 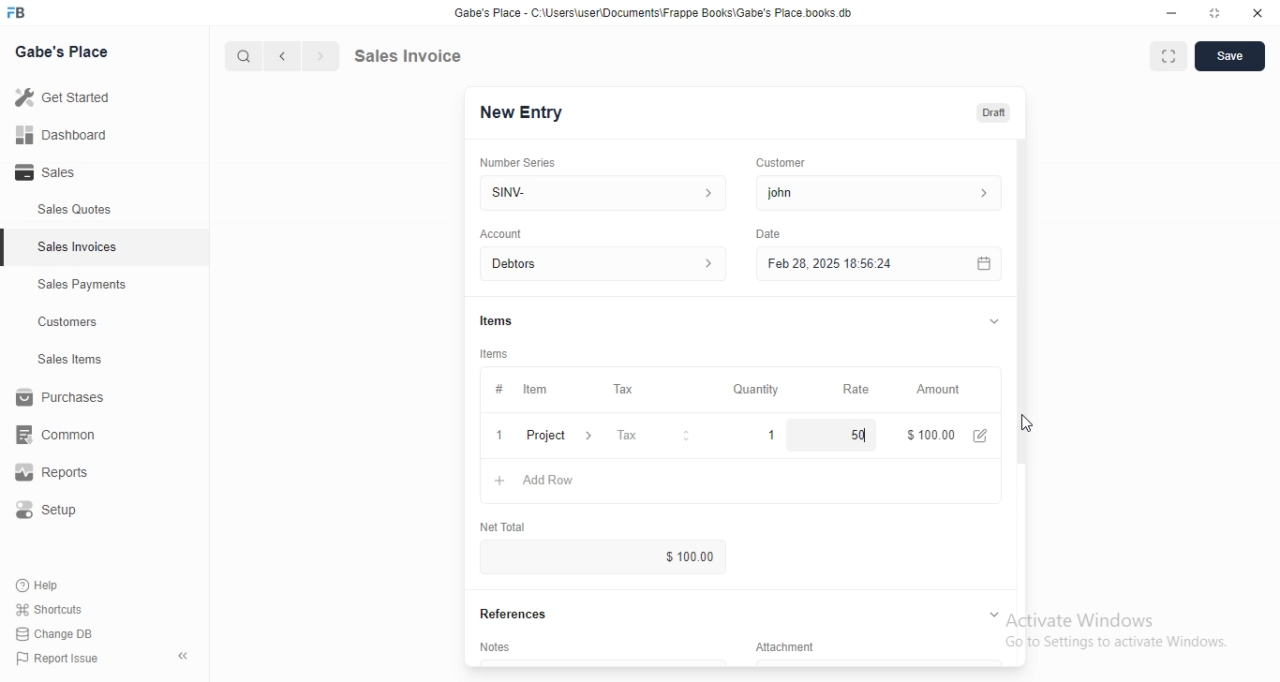 What do you see at coordinates (66, 50) in the screenshot?
I see `Gabe's Place` at bounding box center [66, 50].